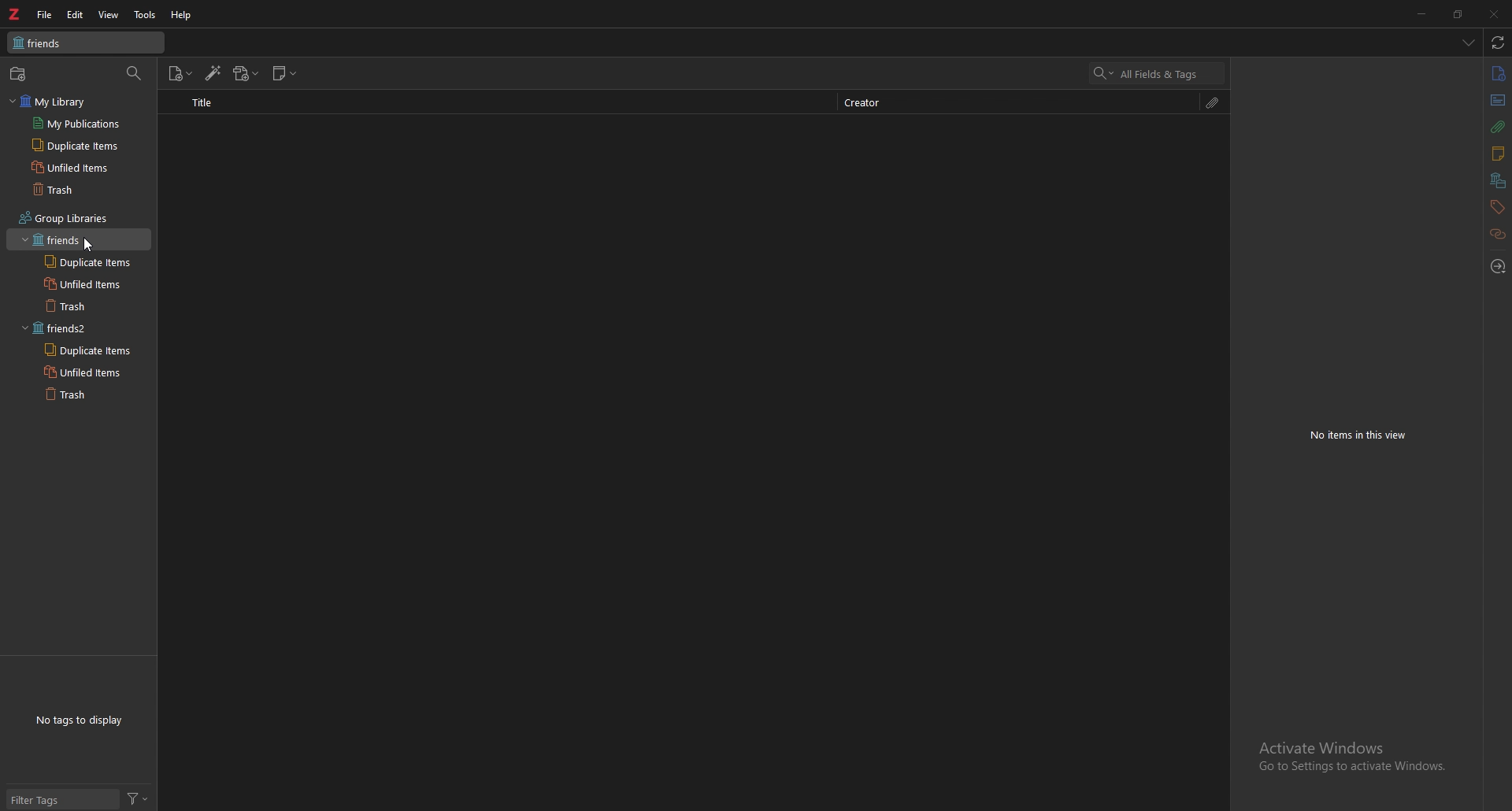  What do you see at coordinates (1496, 208) in the screenshot?
I see `tags` at bounding box center [1496, 208].